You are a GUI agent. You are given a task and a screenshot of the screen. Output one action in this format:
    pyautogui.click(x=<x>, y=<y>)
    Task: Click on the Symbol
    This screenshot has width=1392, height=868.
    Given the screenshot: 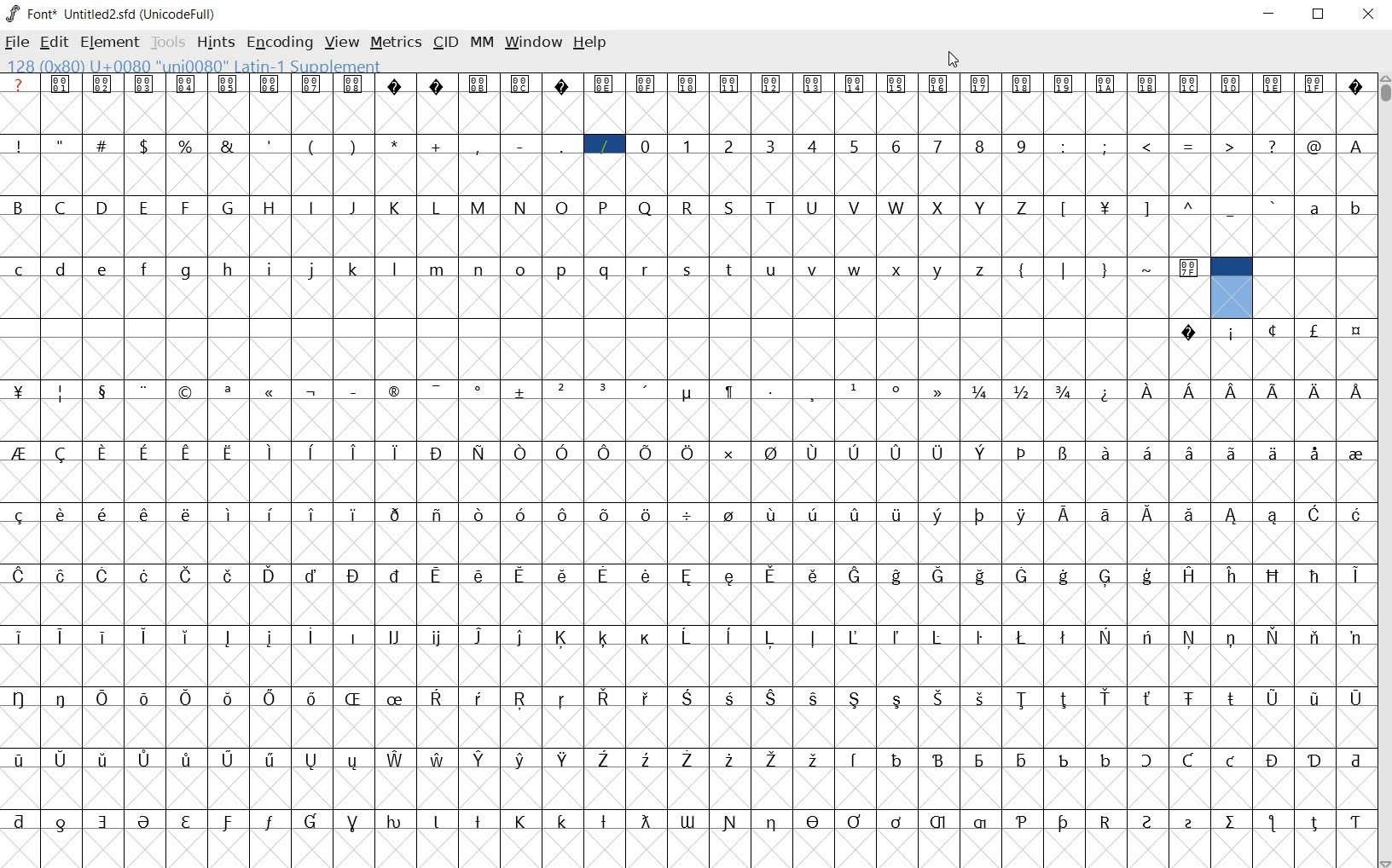 What is the action you would take?
    pyautogui.click(x=63, y=819)
    